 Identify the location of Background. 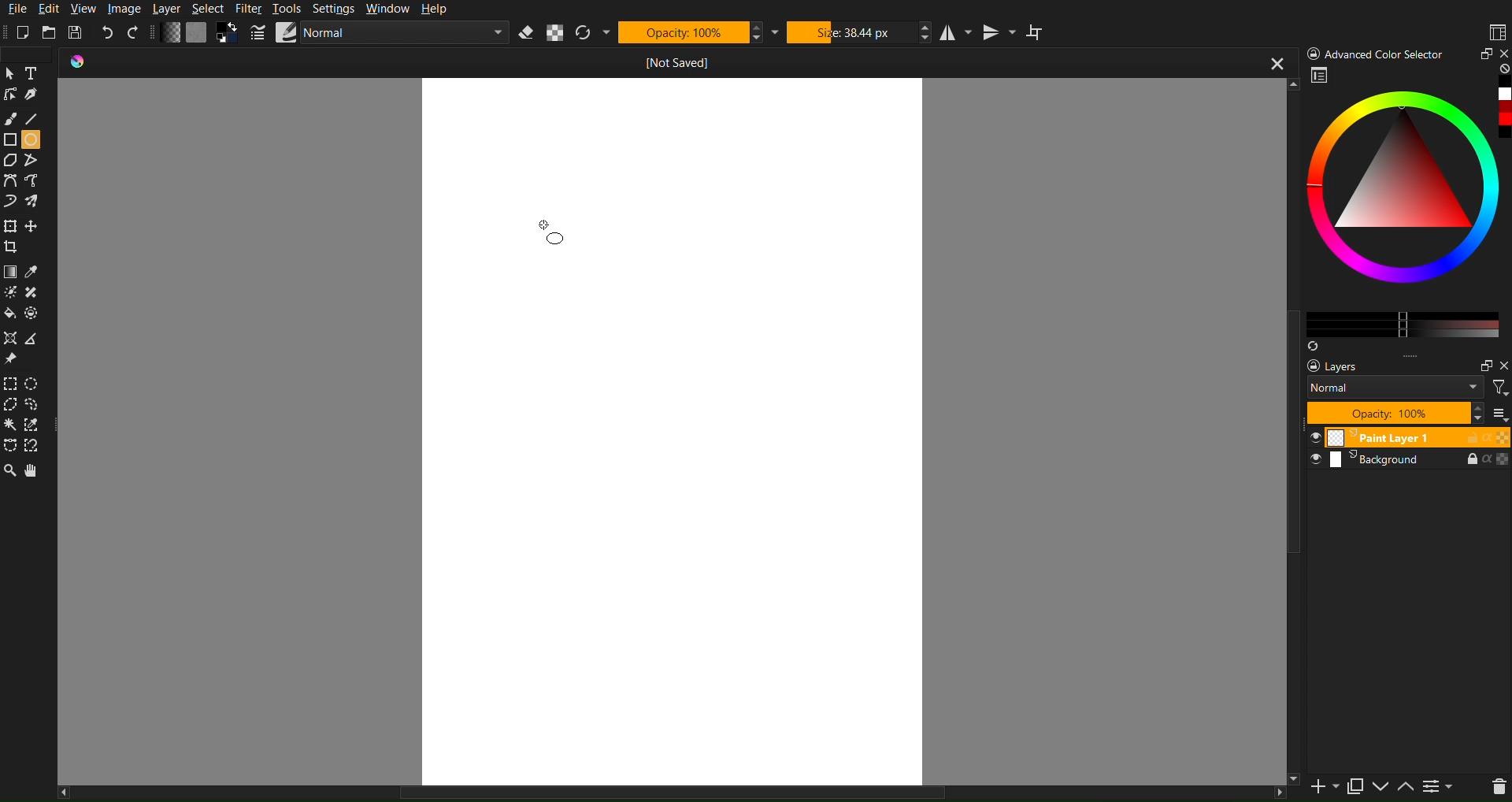
(1408, 462).